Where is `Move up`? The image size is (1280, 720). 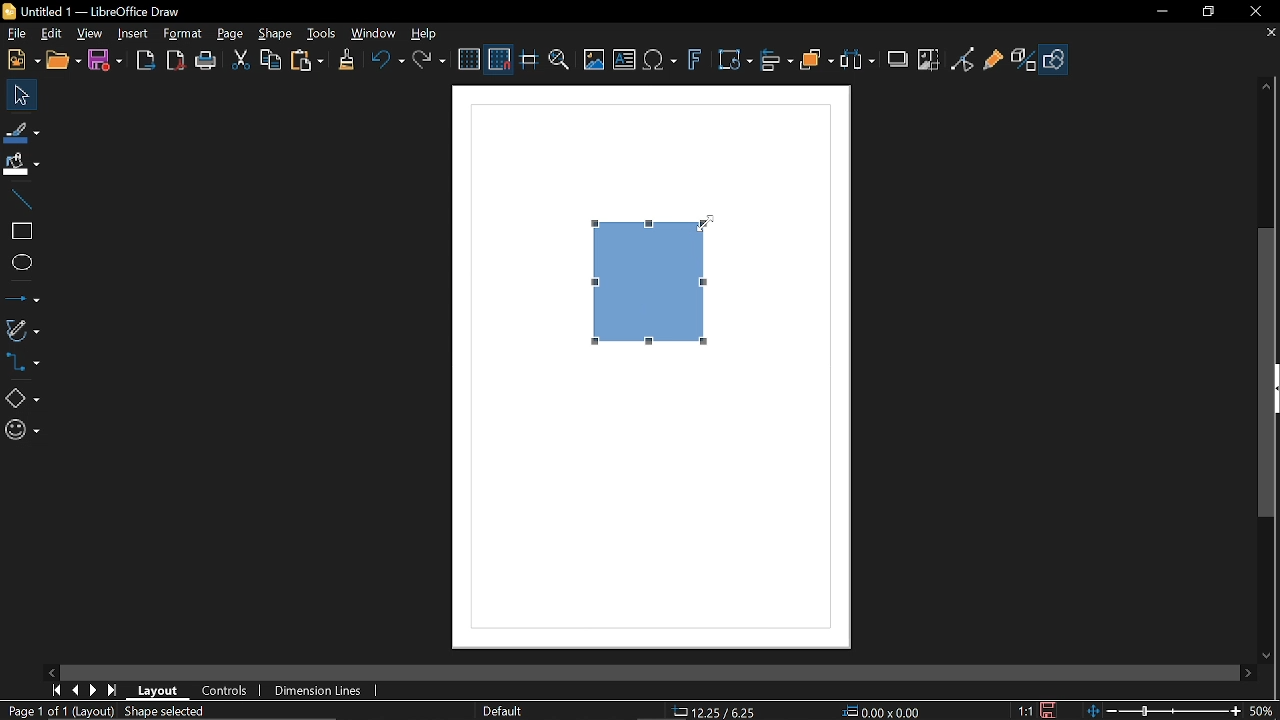 Move up is located at coordinates (1264, 83).